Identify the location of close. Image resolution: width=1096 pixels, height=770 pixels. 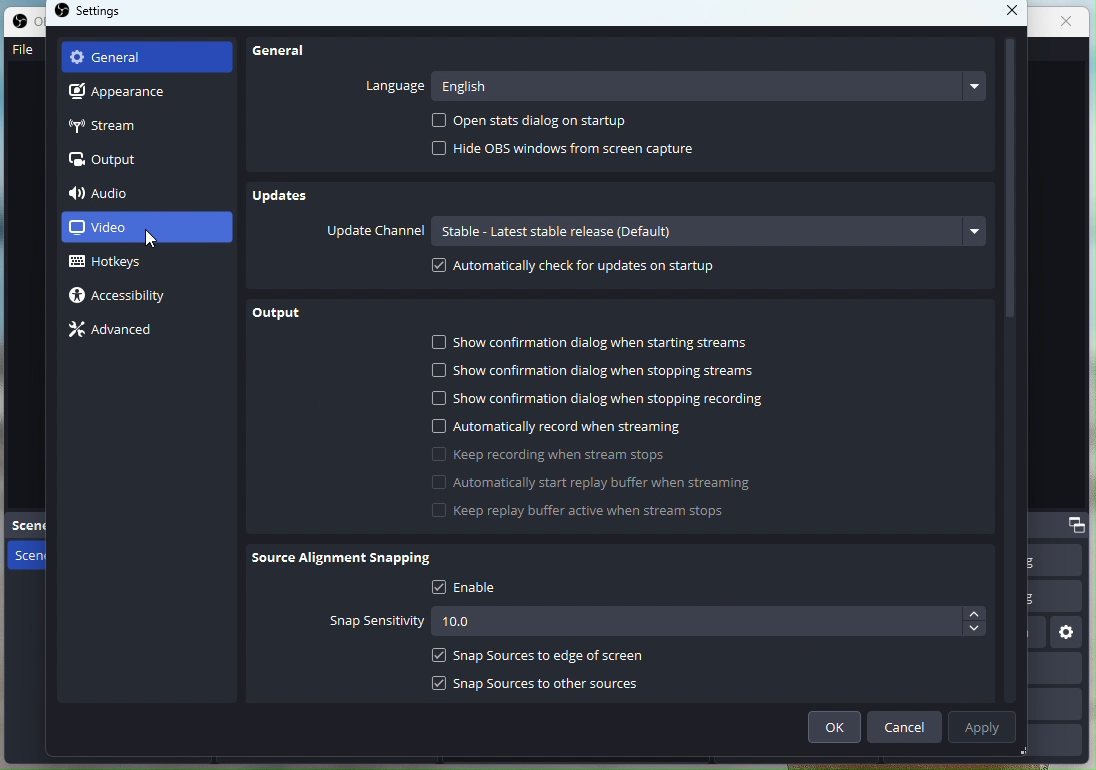
(1067, 18).